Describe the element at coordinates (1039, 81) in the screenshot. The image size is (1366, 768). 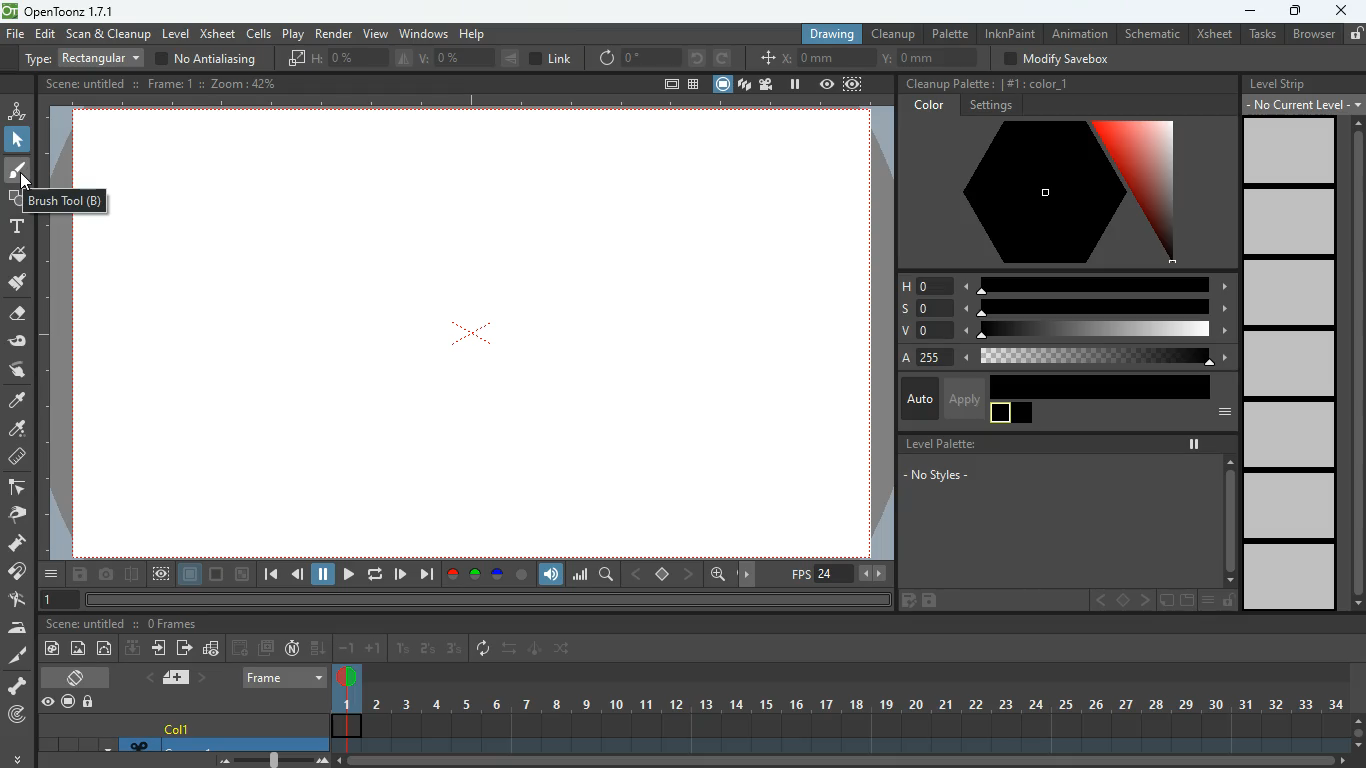
I see `color` at that location.